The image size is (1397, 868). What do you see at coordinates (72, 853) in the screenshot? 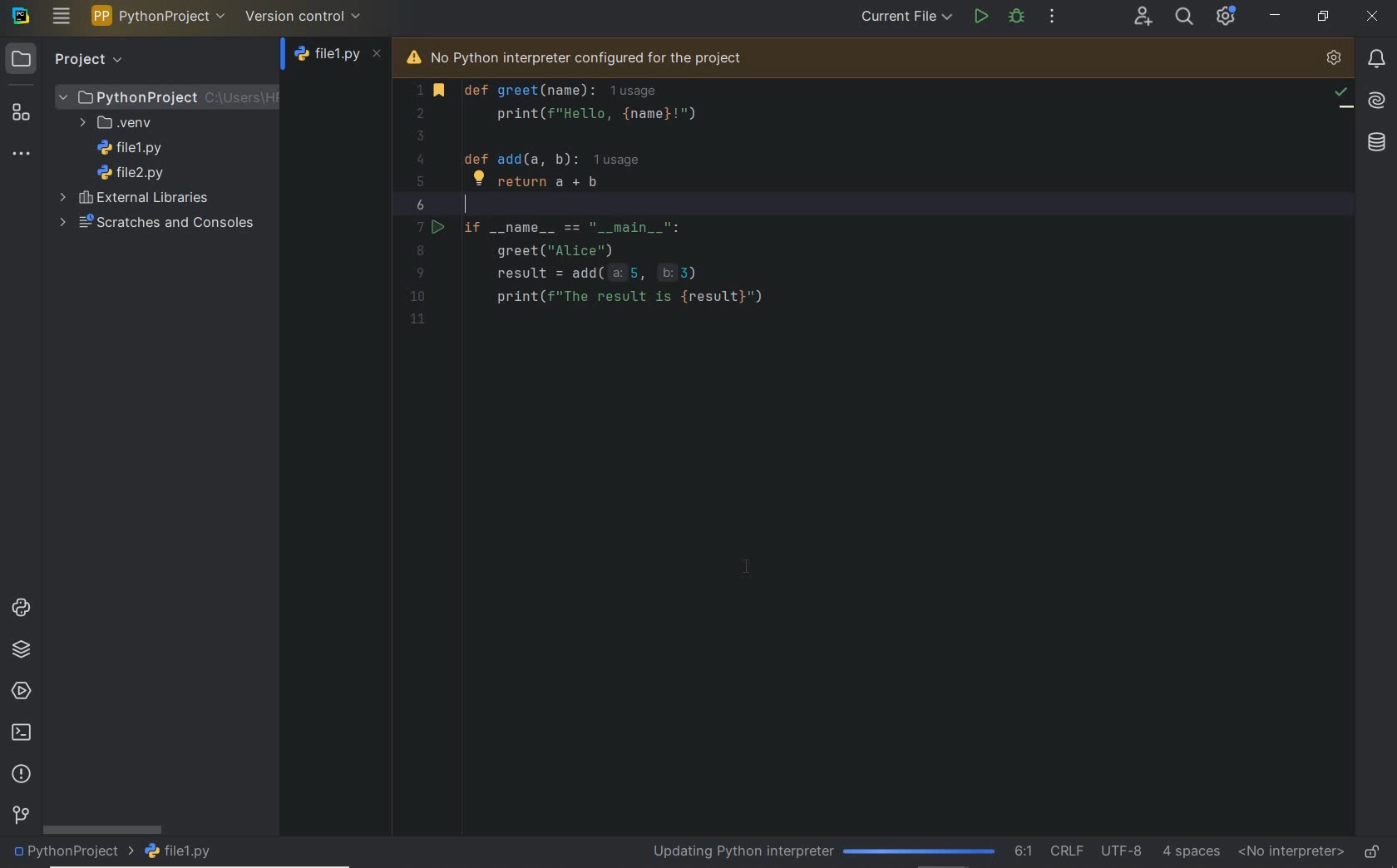
I see `project name` at bounding box center [72, 853].